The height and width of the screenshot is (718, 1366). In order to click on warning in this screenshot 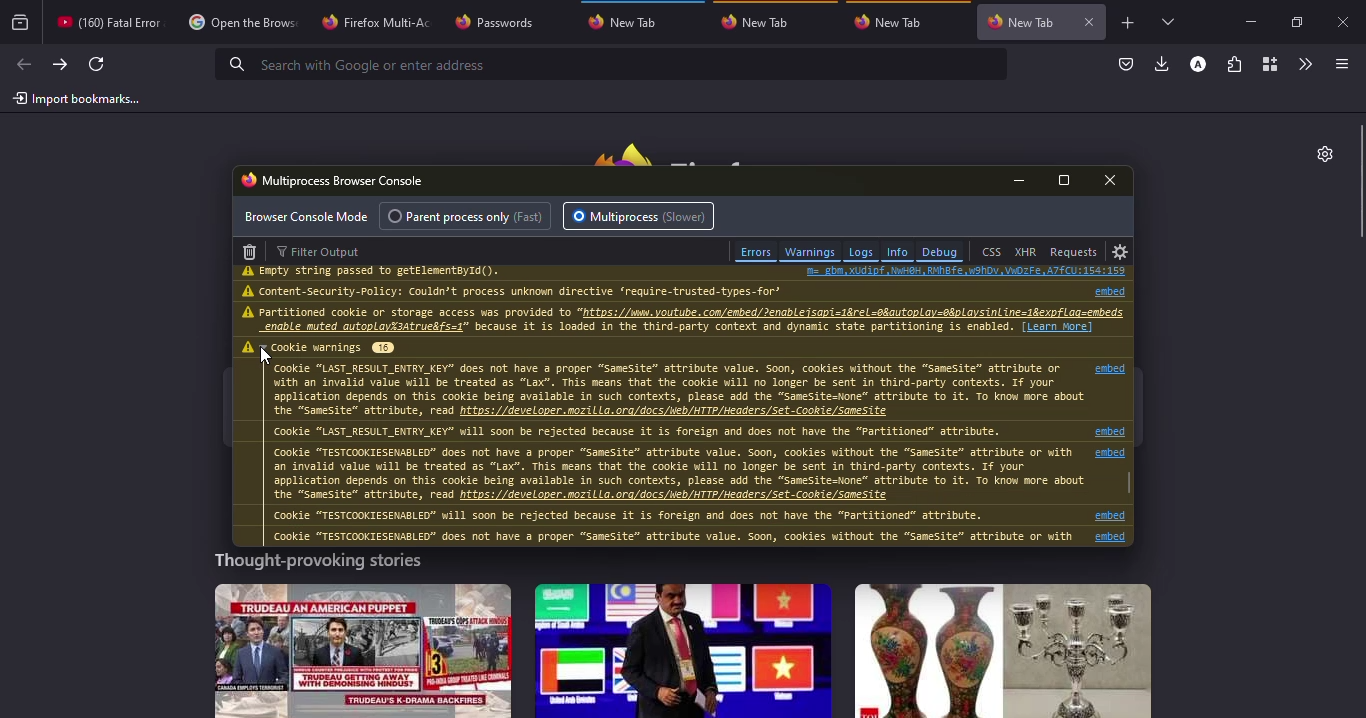, I will do `click(250, 271)`.